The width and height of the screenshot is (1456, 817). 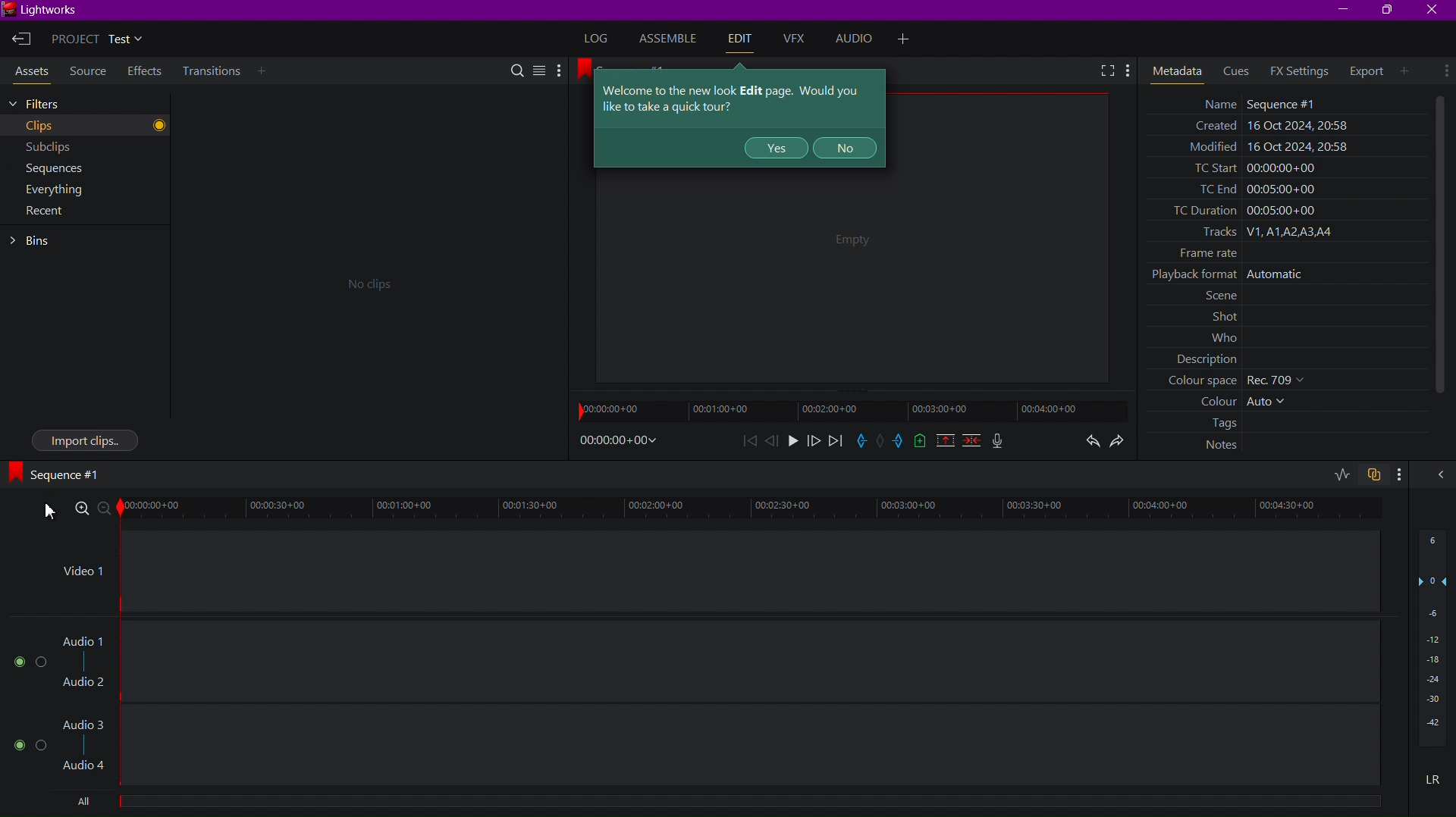 I want to click on Video 1, so click(x=84, y=572).